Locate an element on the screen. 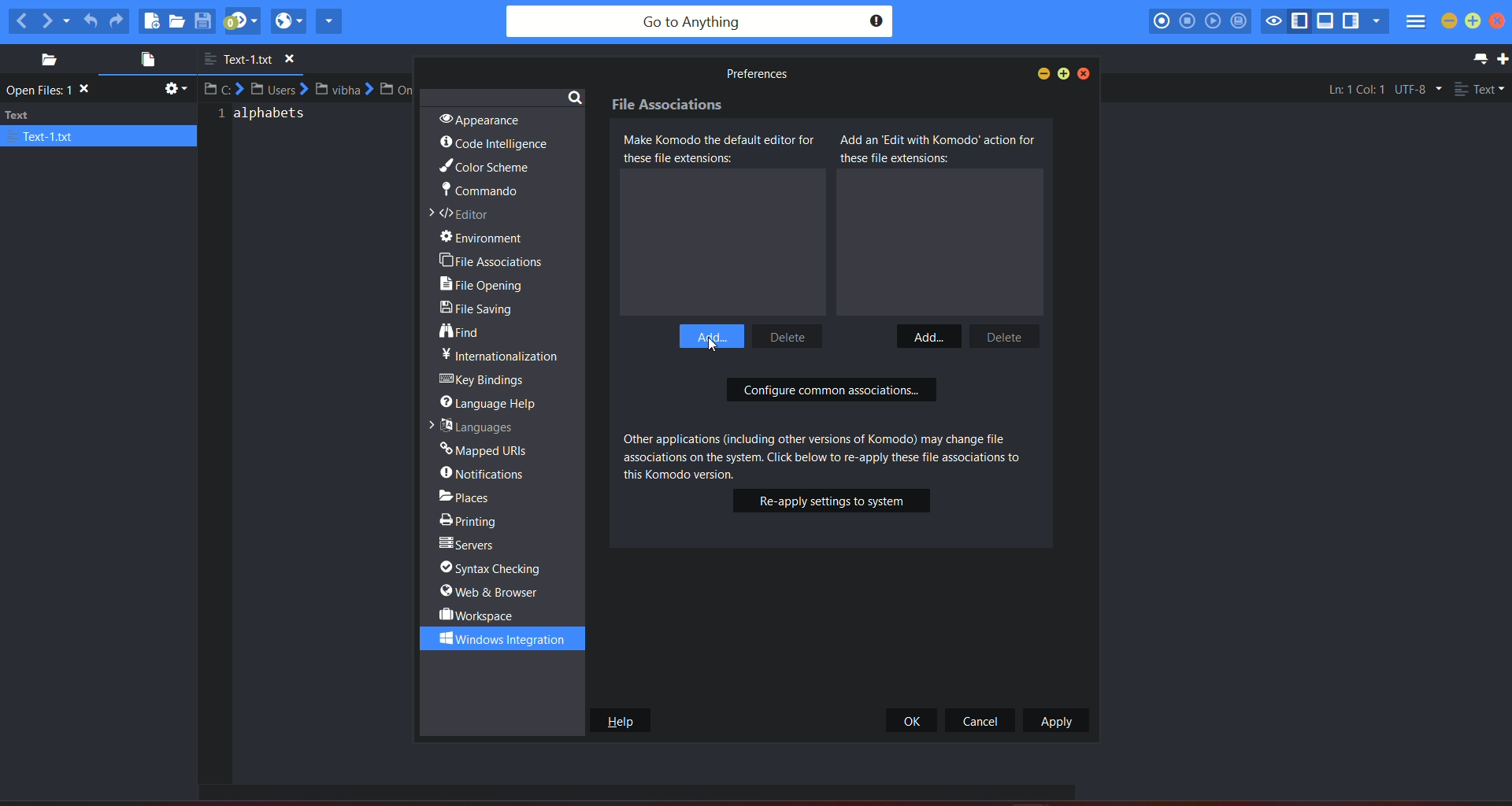 The image size is (1512, 806). new tab is located at coordinates (1503, 59).